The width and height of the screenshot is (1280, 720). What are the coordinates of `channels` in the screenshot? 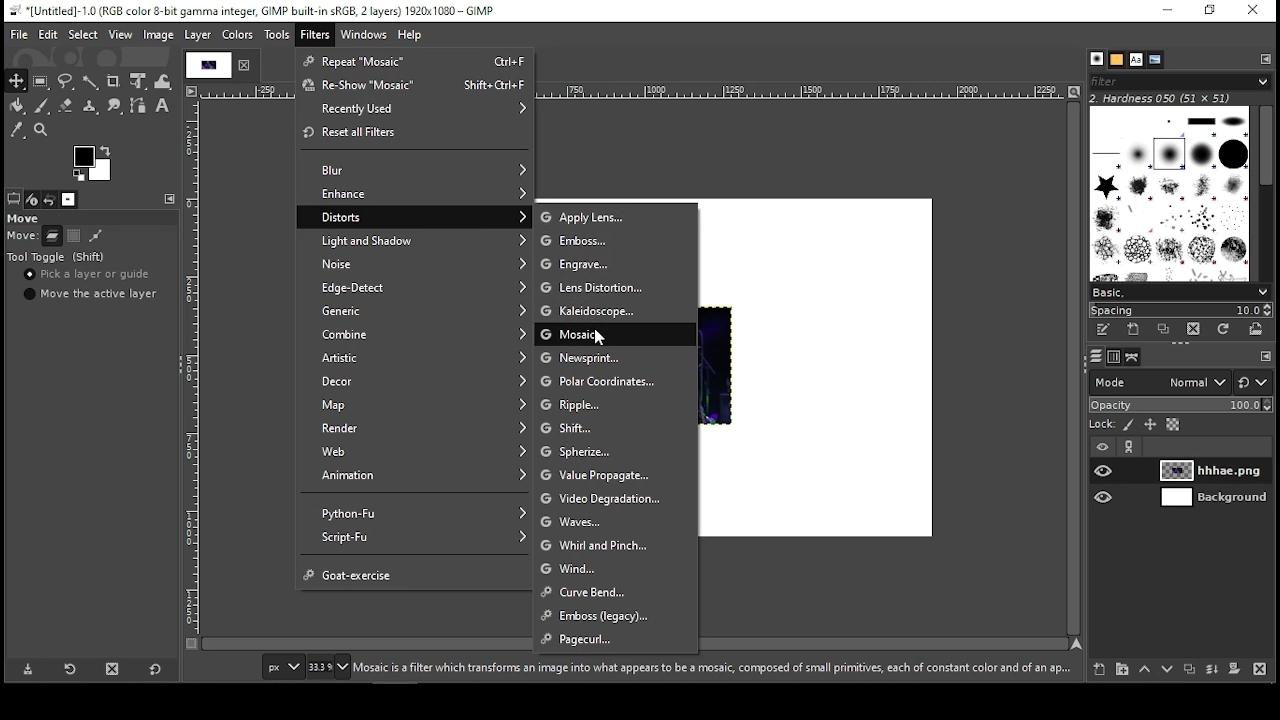 It's located at (1114, 357).